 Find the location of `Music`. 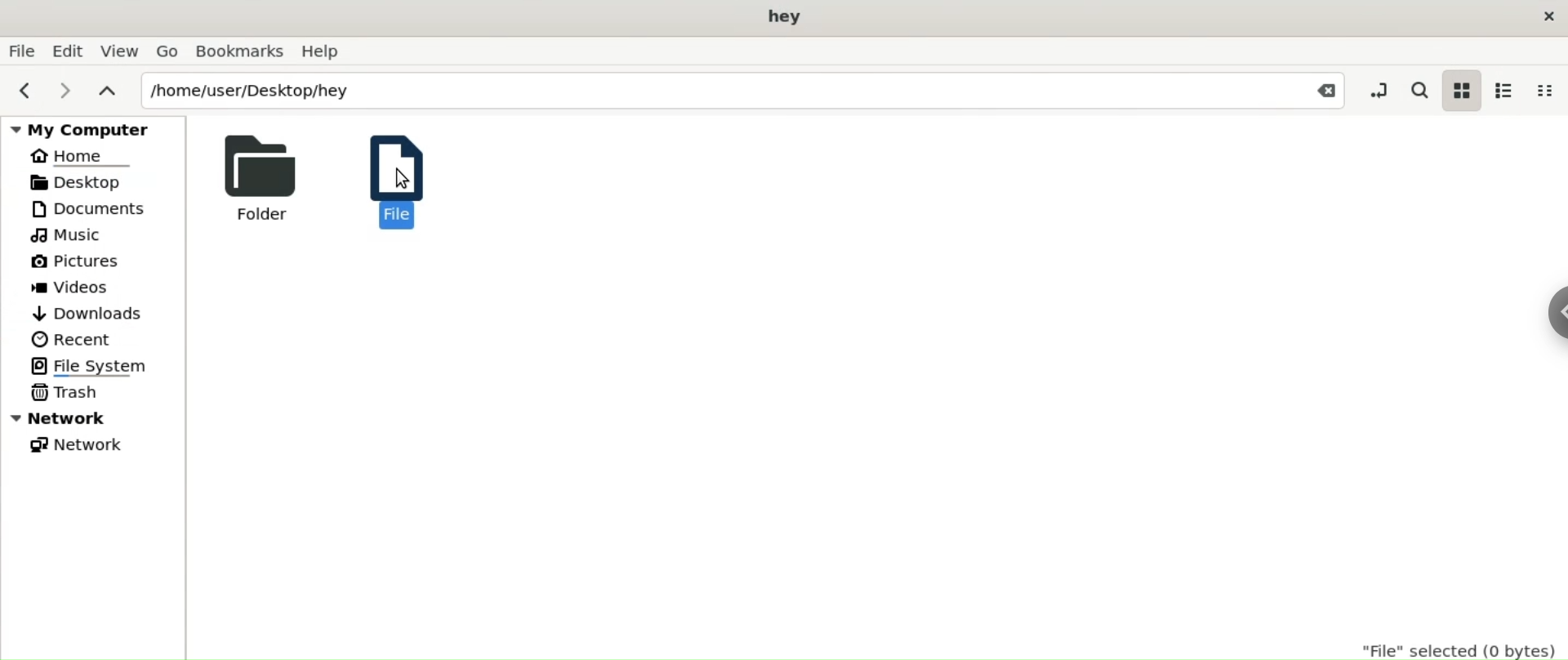

Music is located at coordinates (67, 235).